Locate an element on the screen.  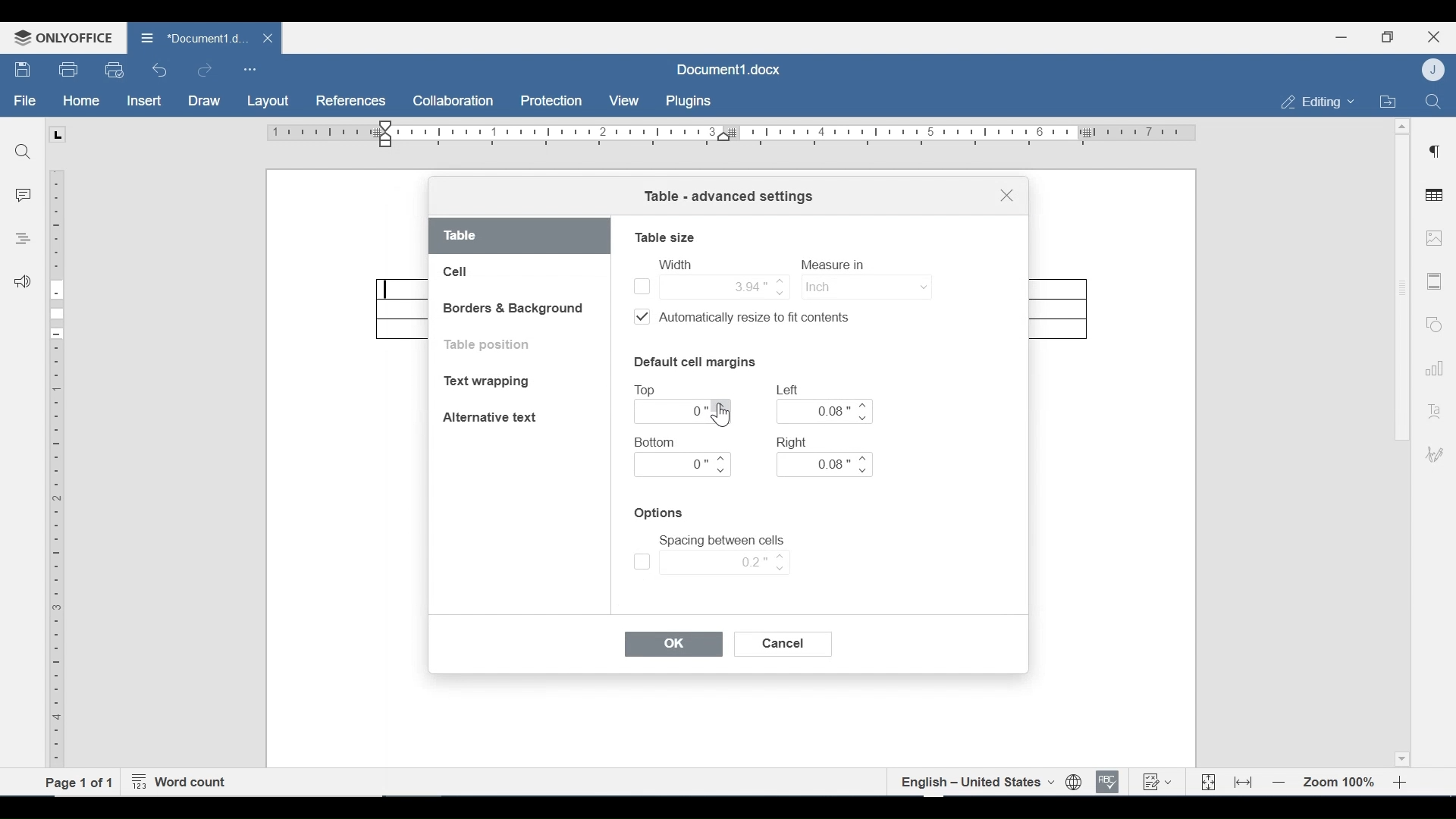
English- united states is located at coordinates (976, 782).